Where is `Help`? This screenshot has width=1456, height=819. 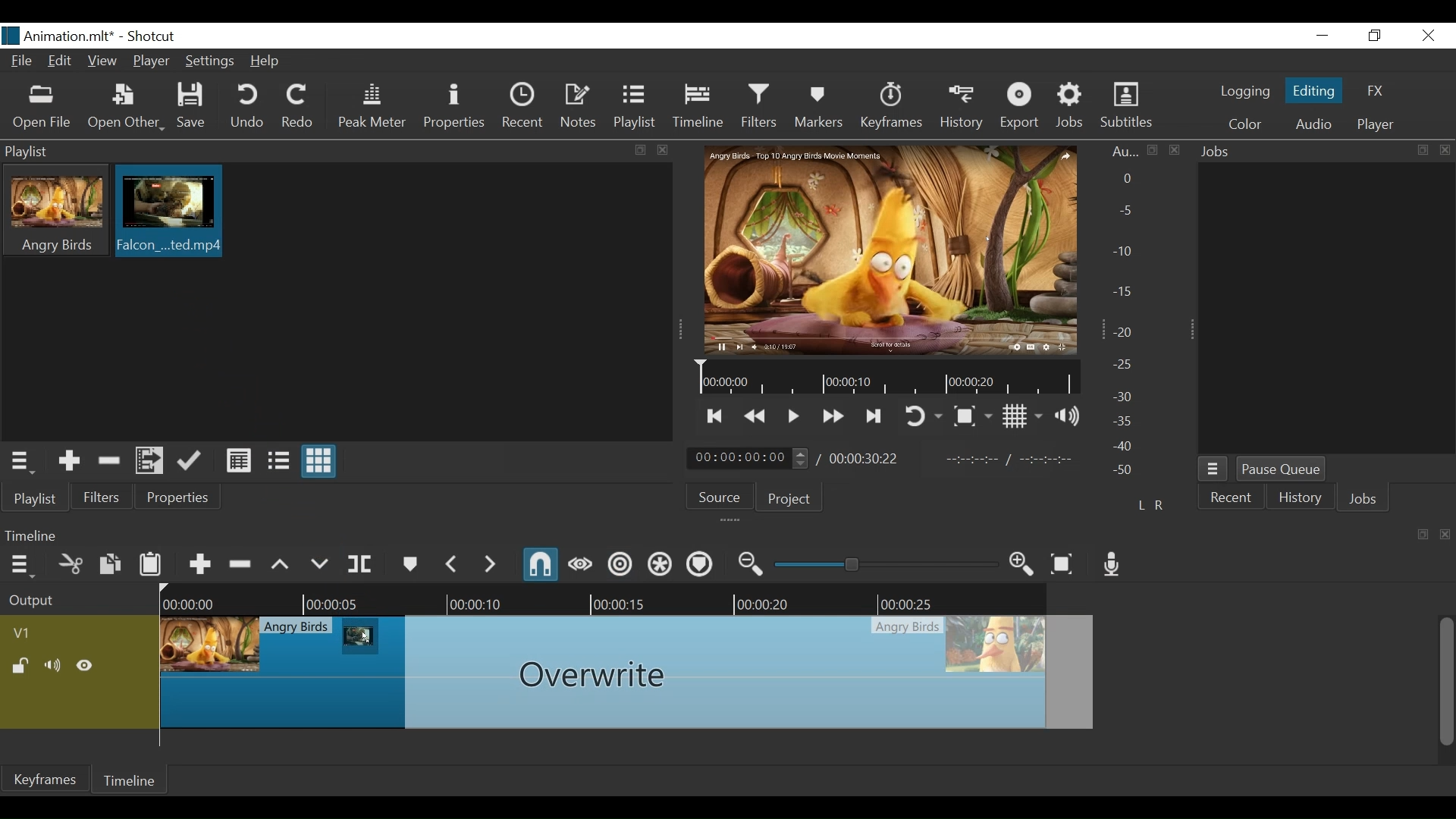 Help is located at coordinates (265, 61).